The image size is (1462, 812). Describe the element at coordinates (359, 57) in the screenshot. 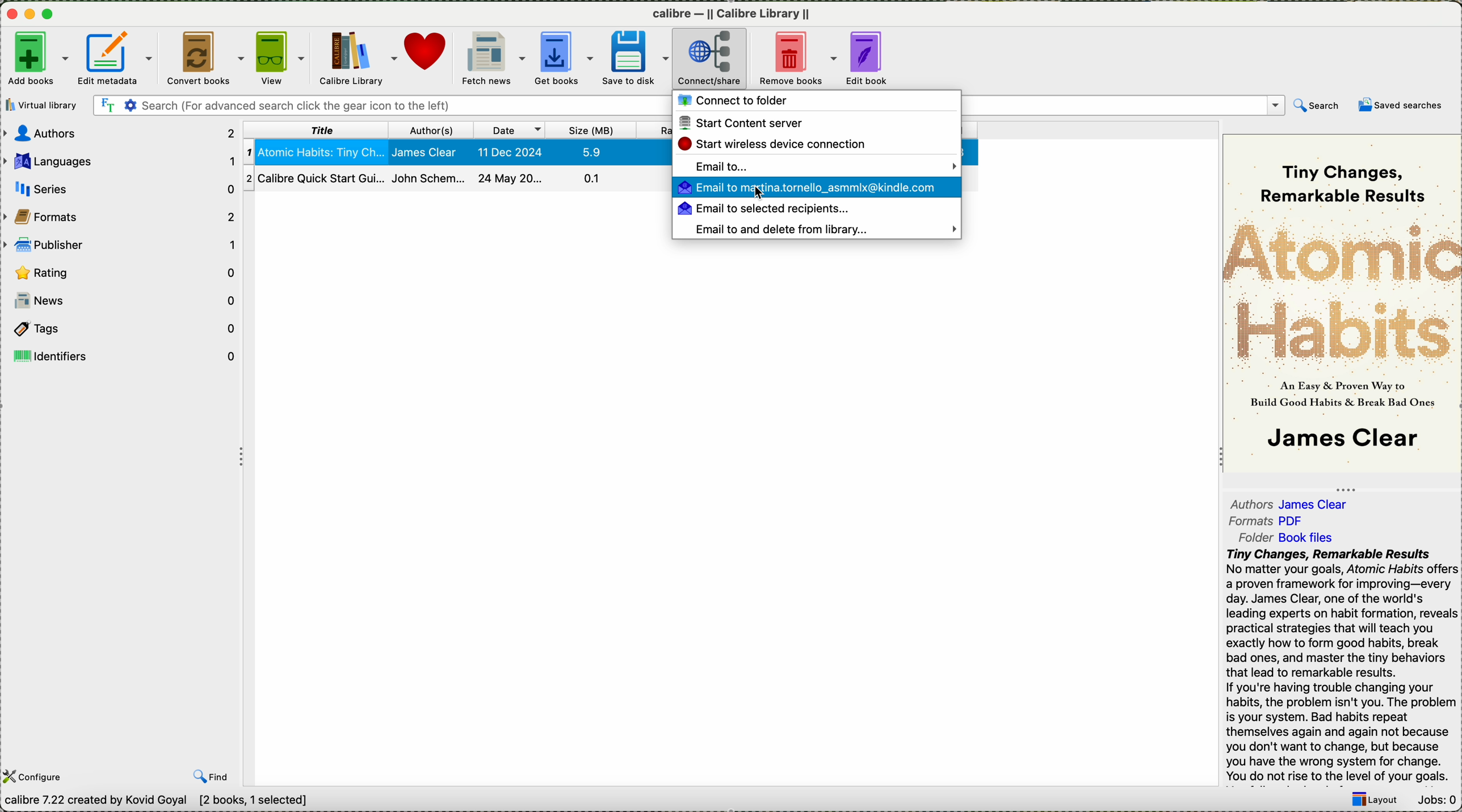

I see `calibre library` at that location.